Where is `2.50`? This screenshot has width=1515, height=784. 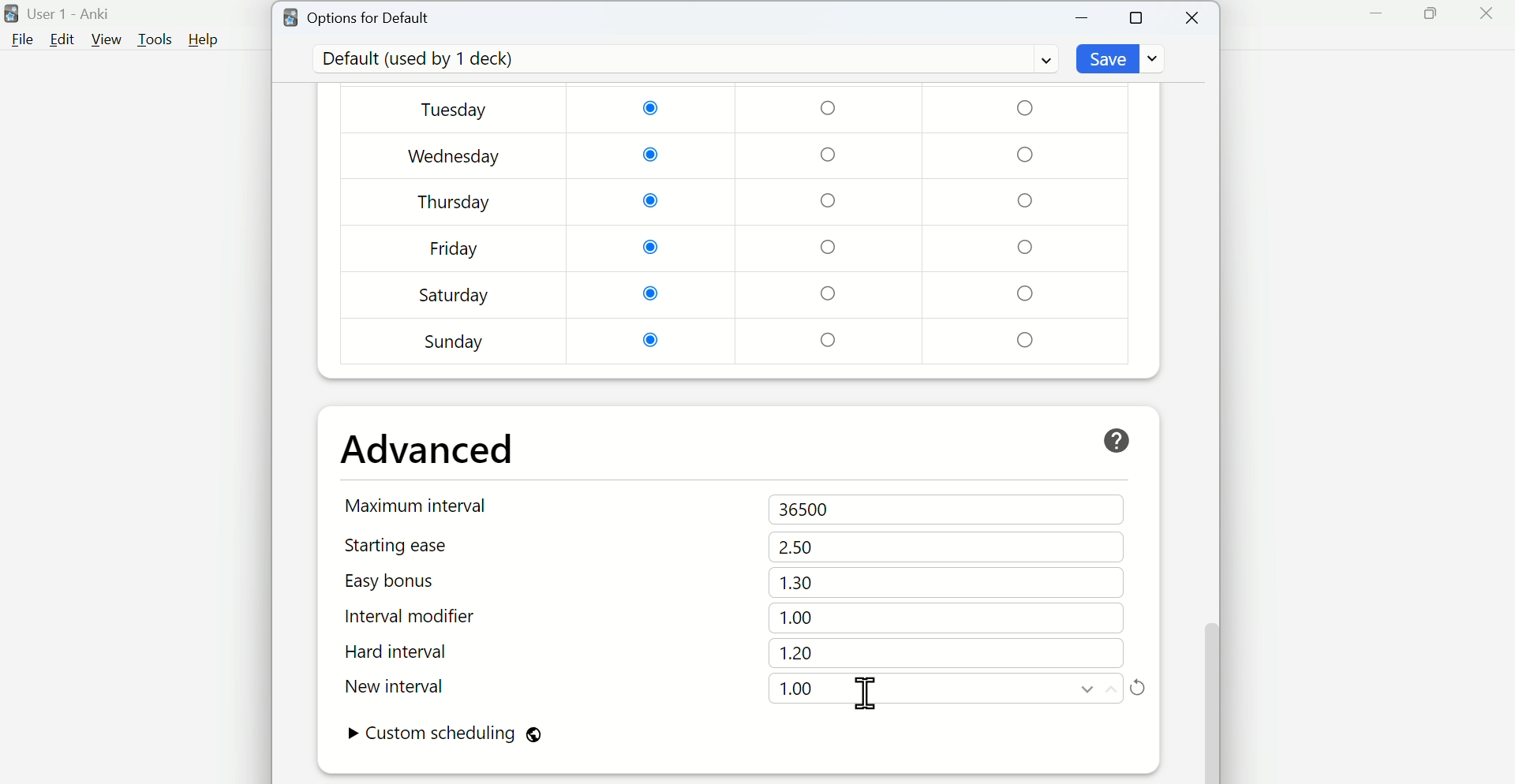 2.50 is located at coordinates (796, 547).